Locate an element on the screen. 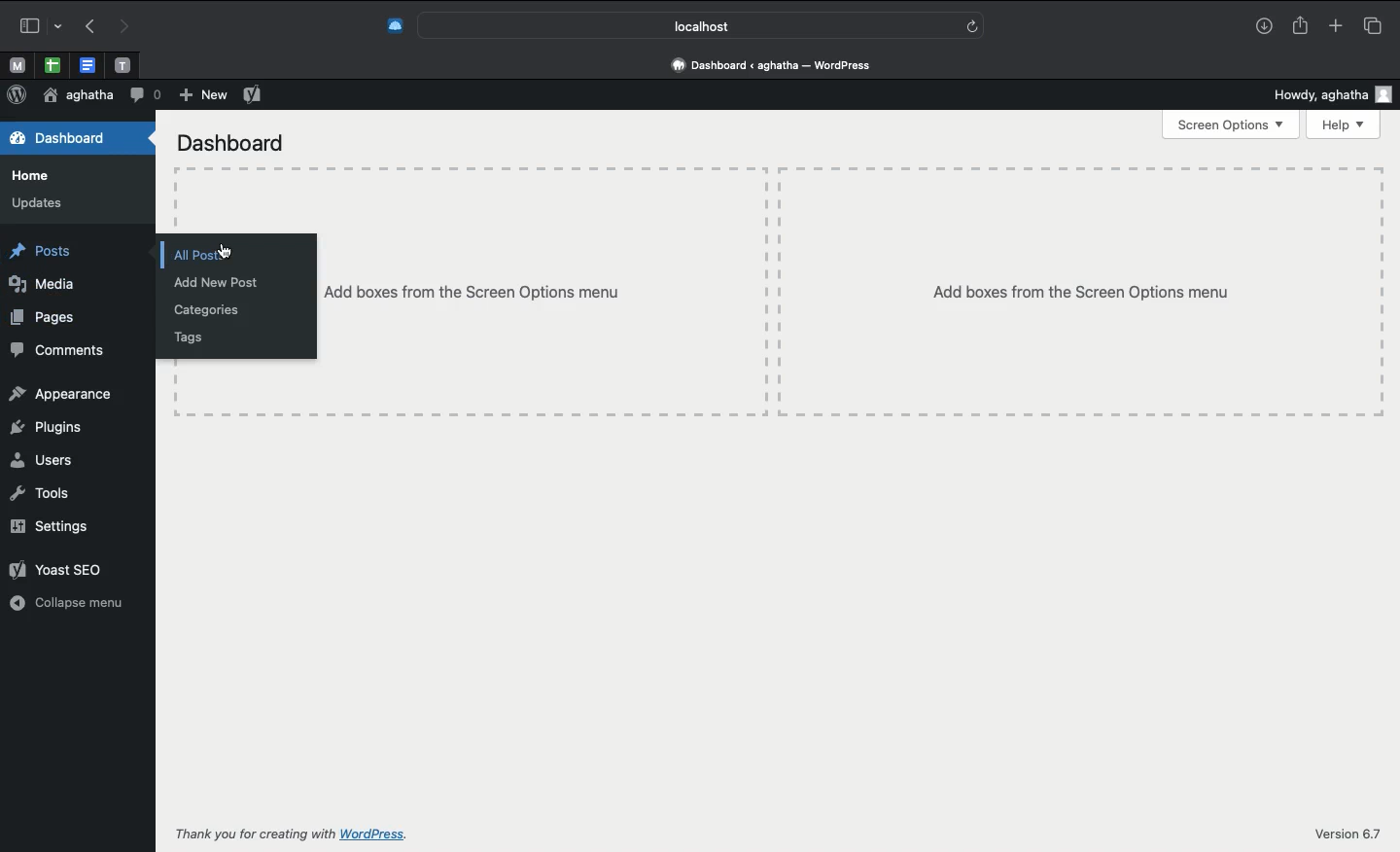  Appearance is located at coordinates (62, 392).